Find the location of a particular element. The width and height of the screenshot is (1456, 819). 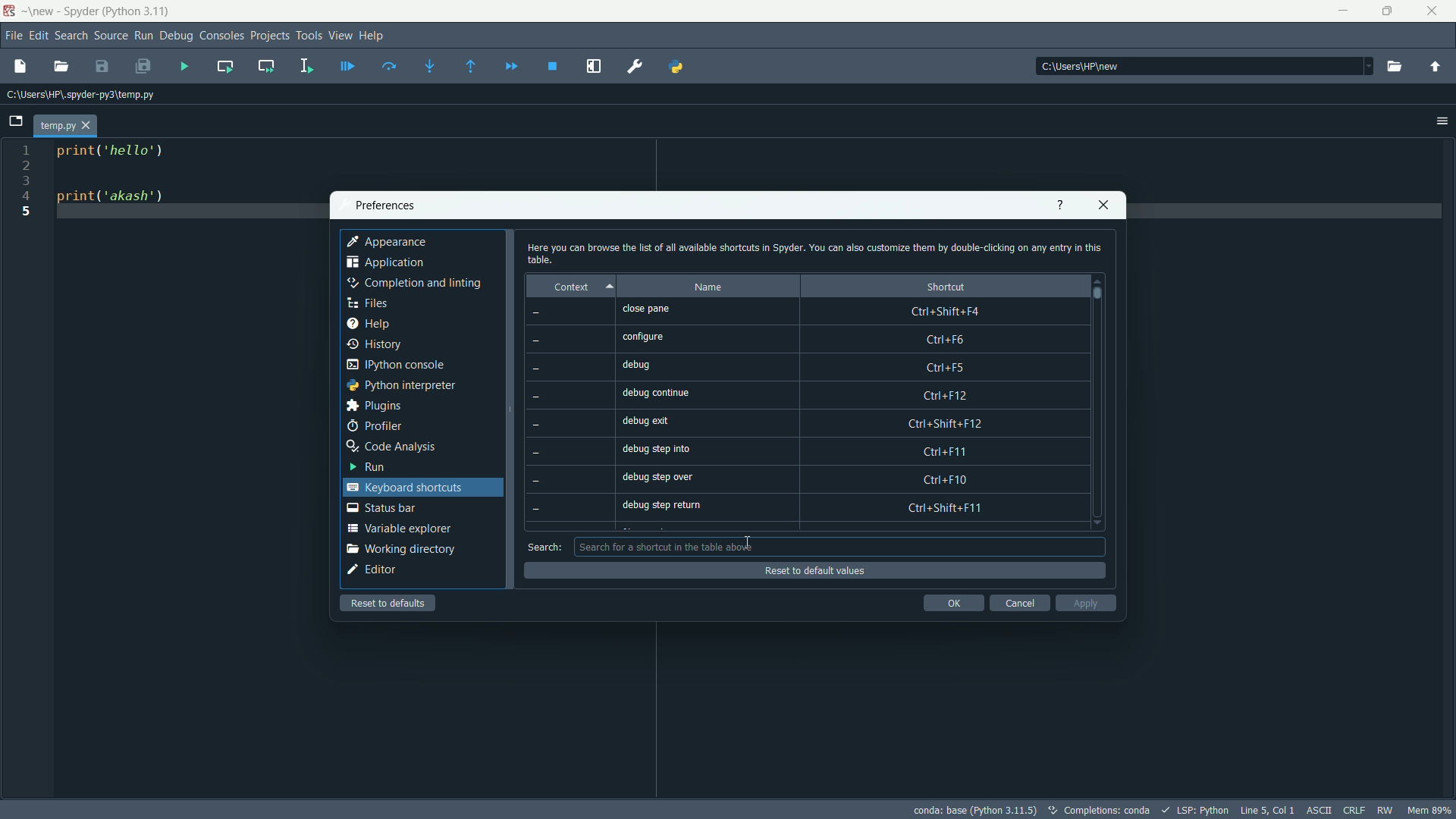

step into function is located at coordinates (431, 64).